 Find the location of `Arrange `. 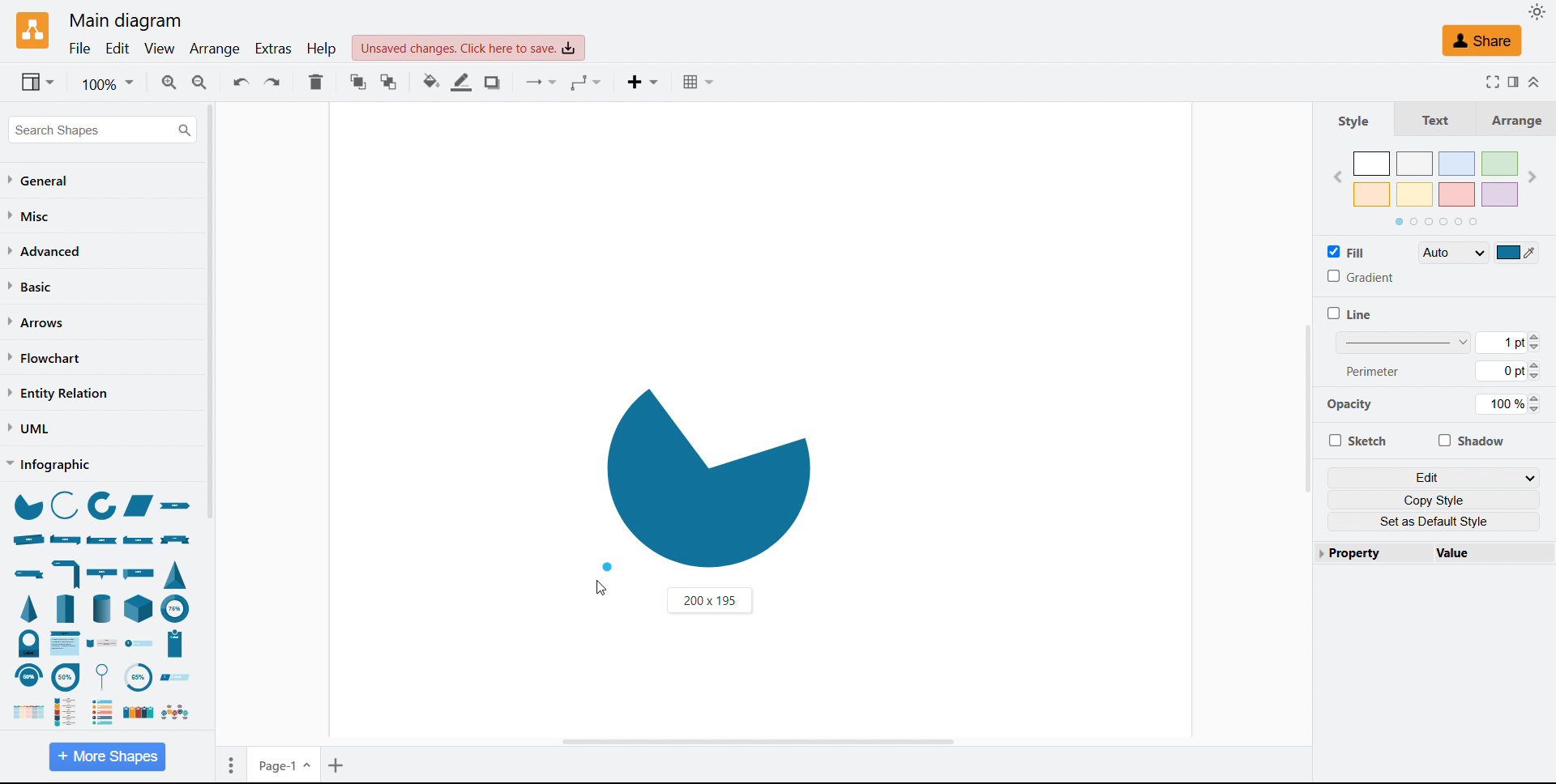

Arrange  is located at coordinates (1511, 119).